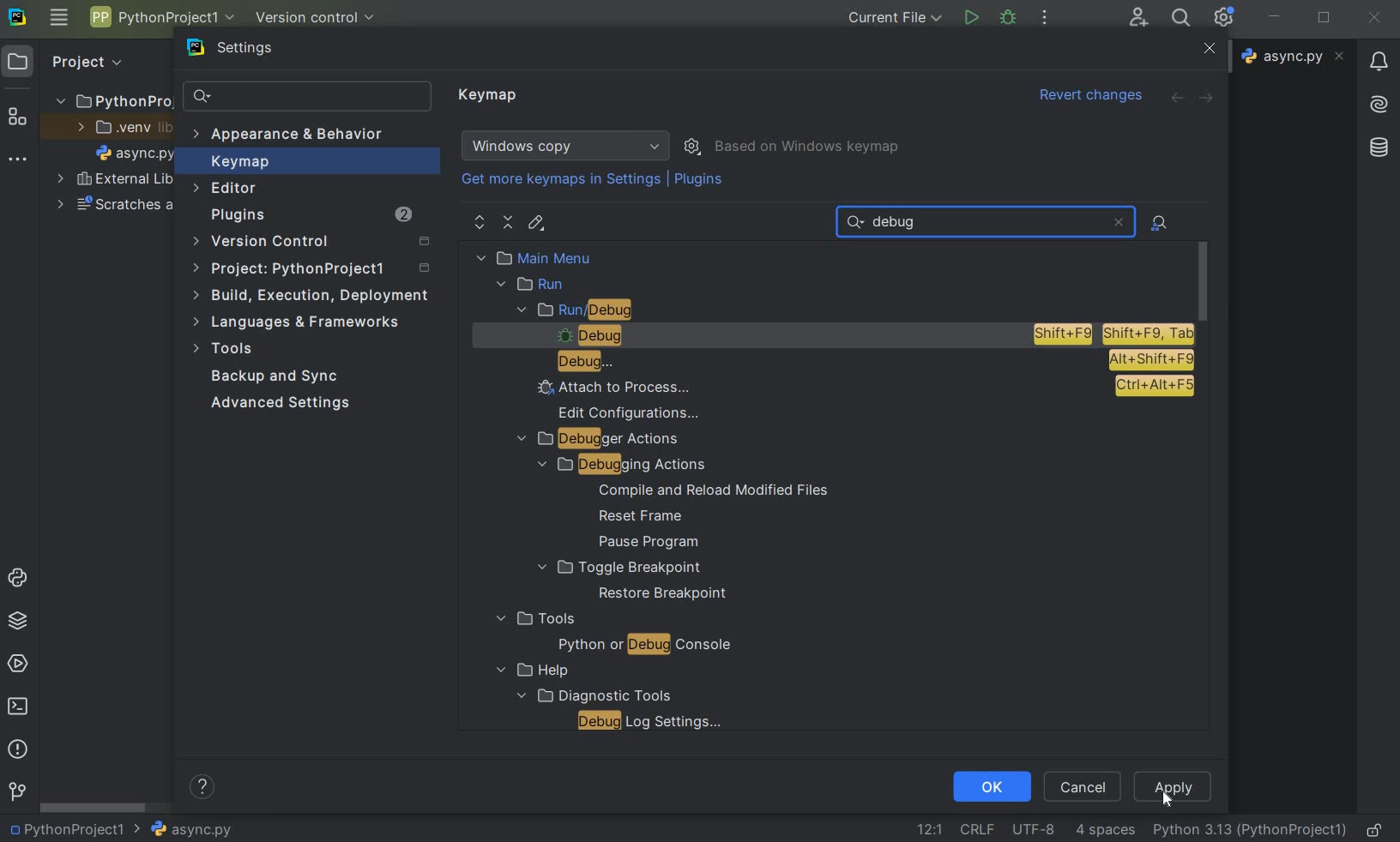  What do you see at coordinates (1275, 16) in the screenshot?
I see `minimize` at bounding box center [1275, 16].